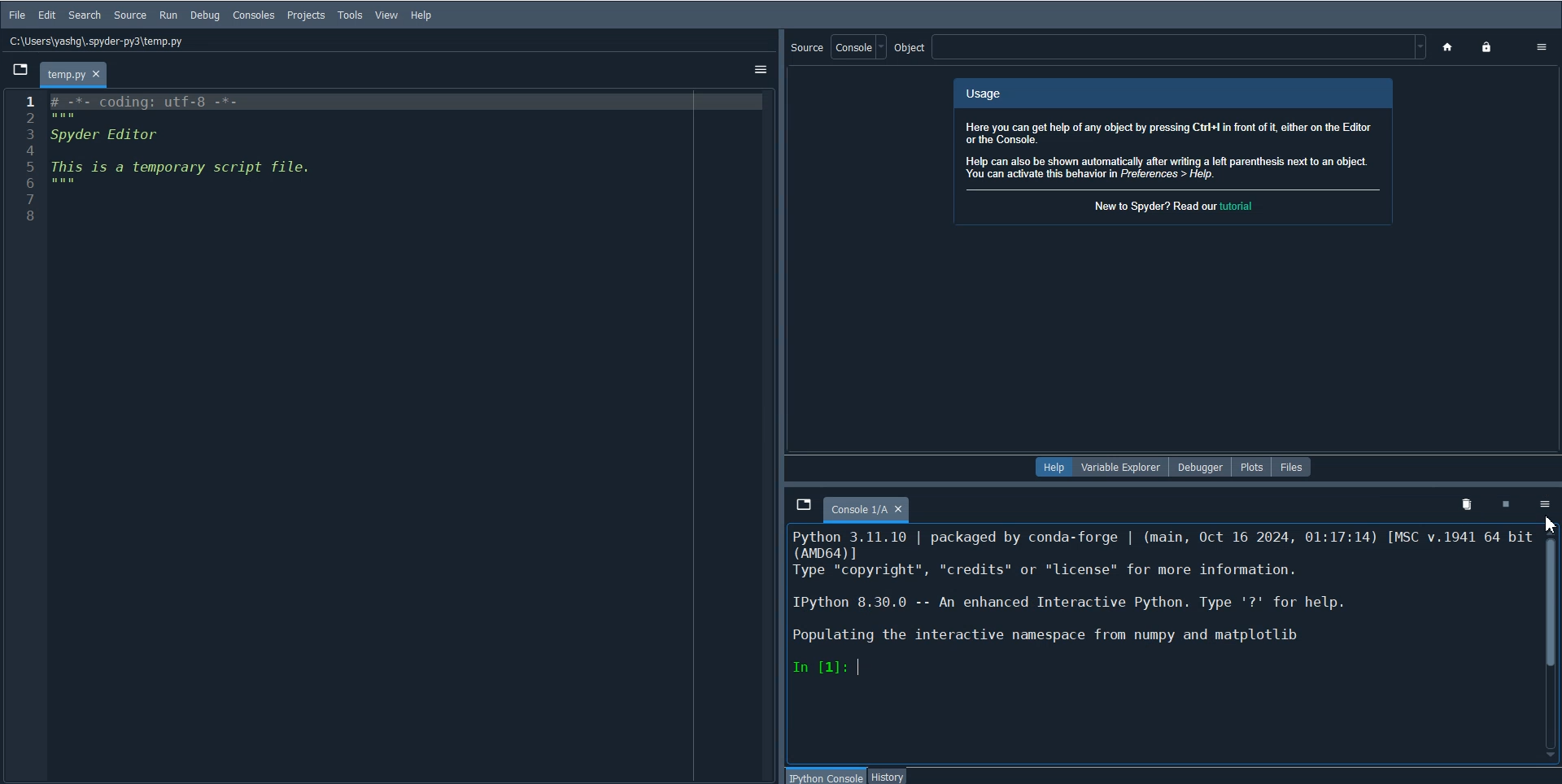  Describe the element at coordinates (351, 15) in the screenshot. I see `Tools` at that location.